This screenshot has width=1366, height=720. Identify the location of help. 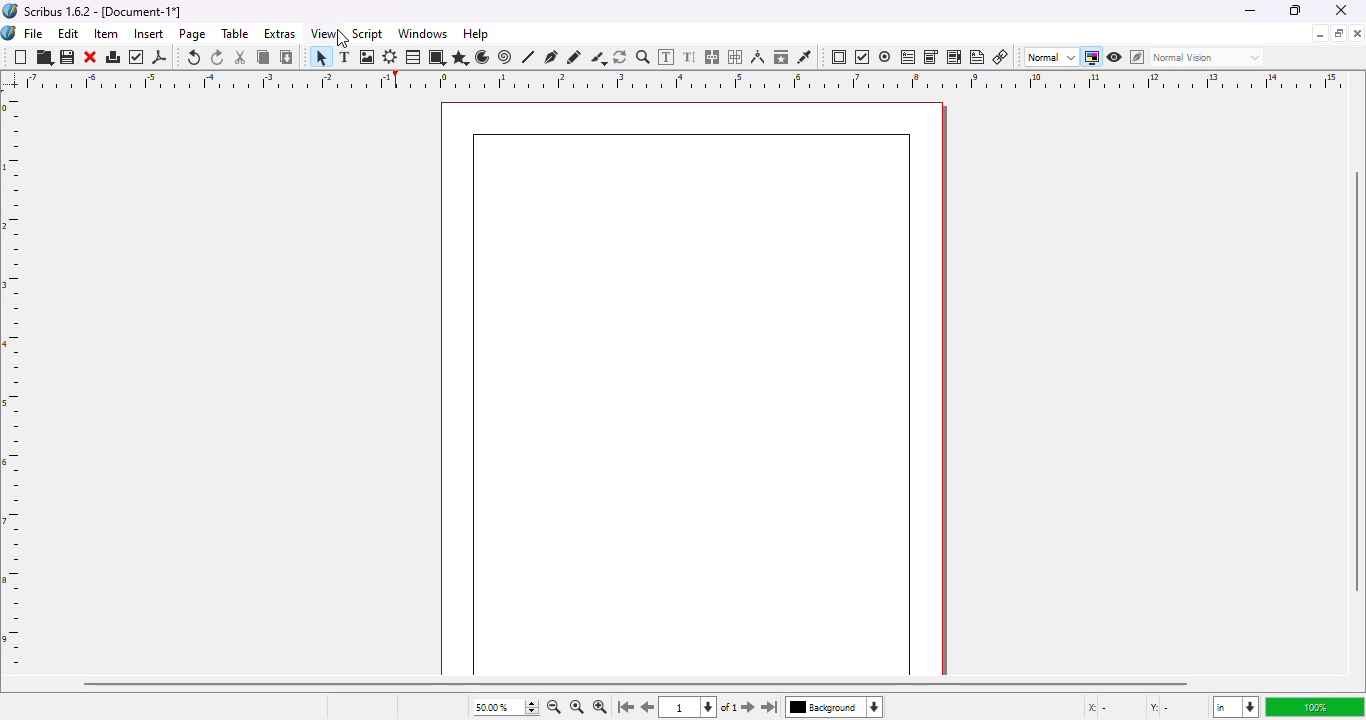
(476, 34).